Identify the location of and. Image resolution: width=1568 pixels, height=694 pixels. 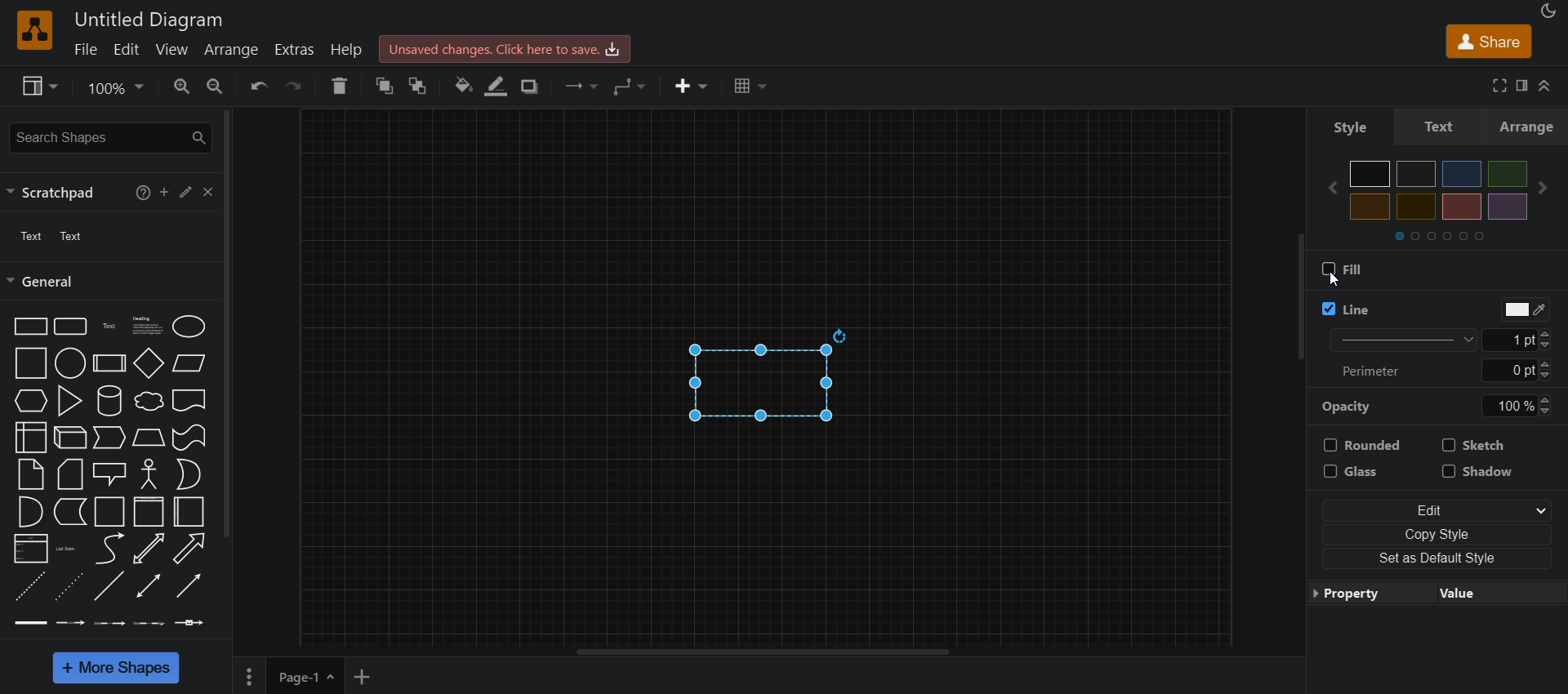
(29, 511).